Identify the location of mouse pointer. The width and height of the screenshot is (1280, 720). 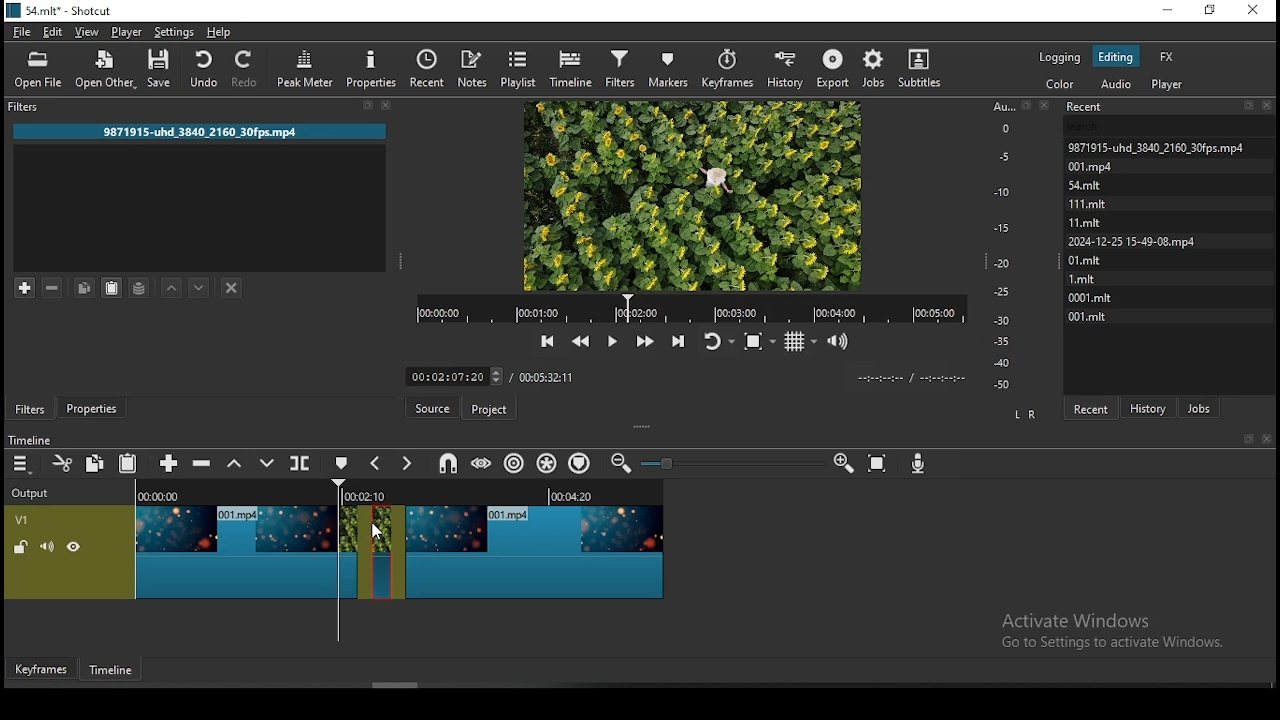
(383, 534).